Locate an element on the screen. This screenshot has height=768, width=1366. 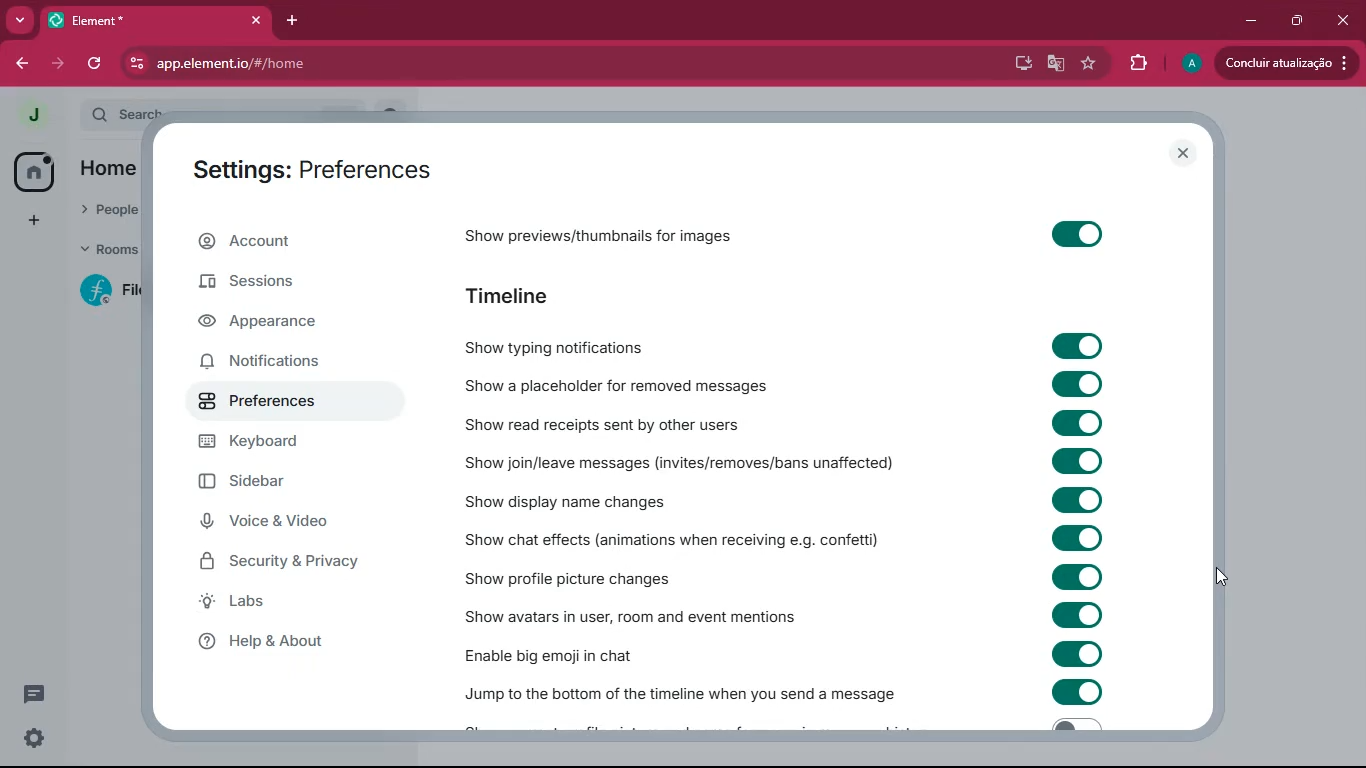
back is located at coordinates (19, 63).